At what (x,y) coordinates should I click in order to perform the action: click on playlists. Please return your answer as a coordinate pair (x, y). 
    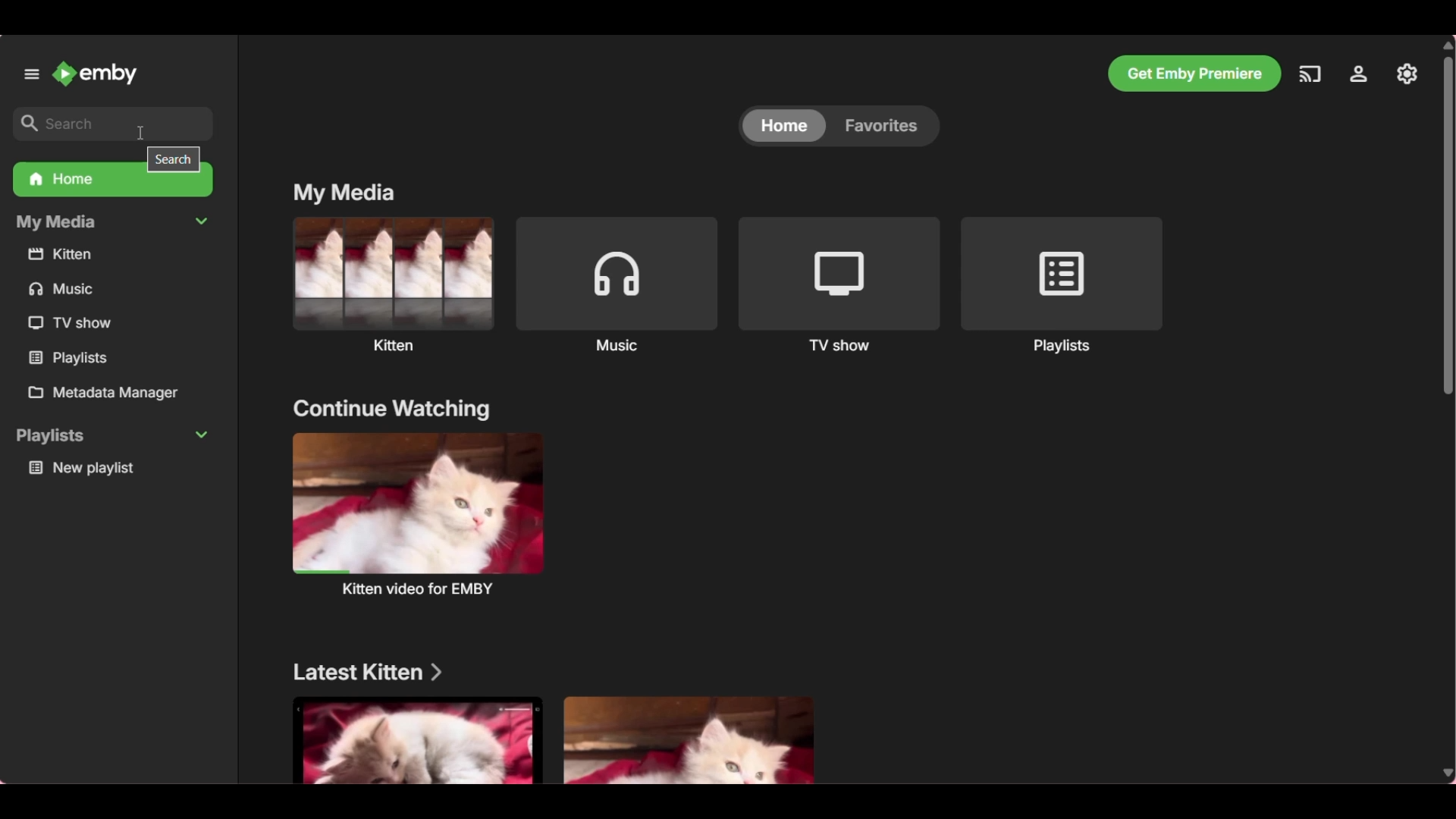
    Looking at the image, I should click on (111, 436).